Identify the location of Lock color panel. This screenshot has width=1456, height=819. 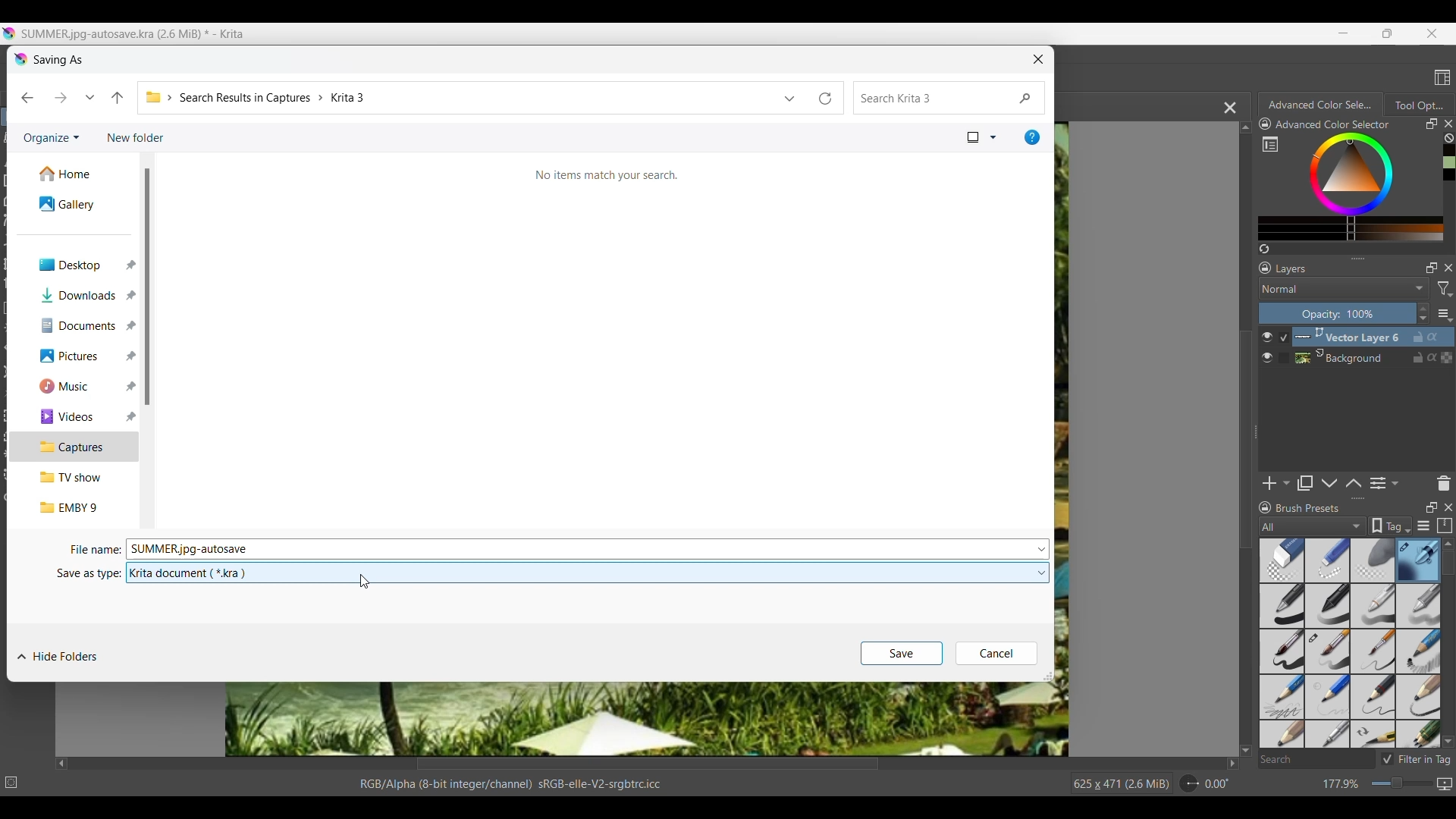
(1265, 124).